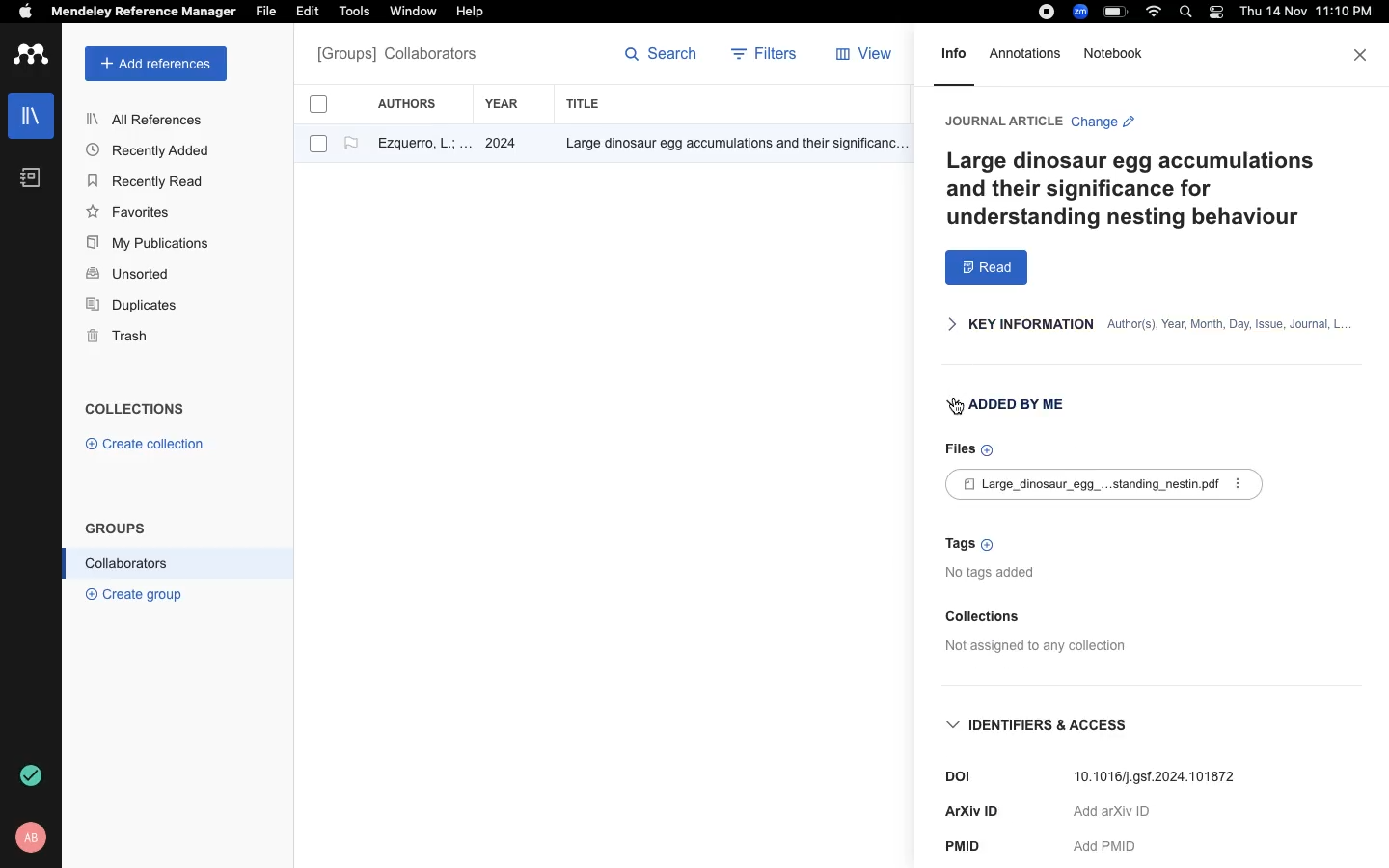  Describe the element at coordinates (1227, 324) in the screenshot. I see `author(s), Year, Month, Day, Issue, Journal, L.` at that location.